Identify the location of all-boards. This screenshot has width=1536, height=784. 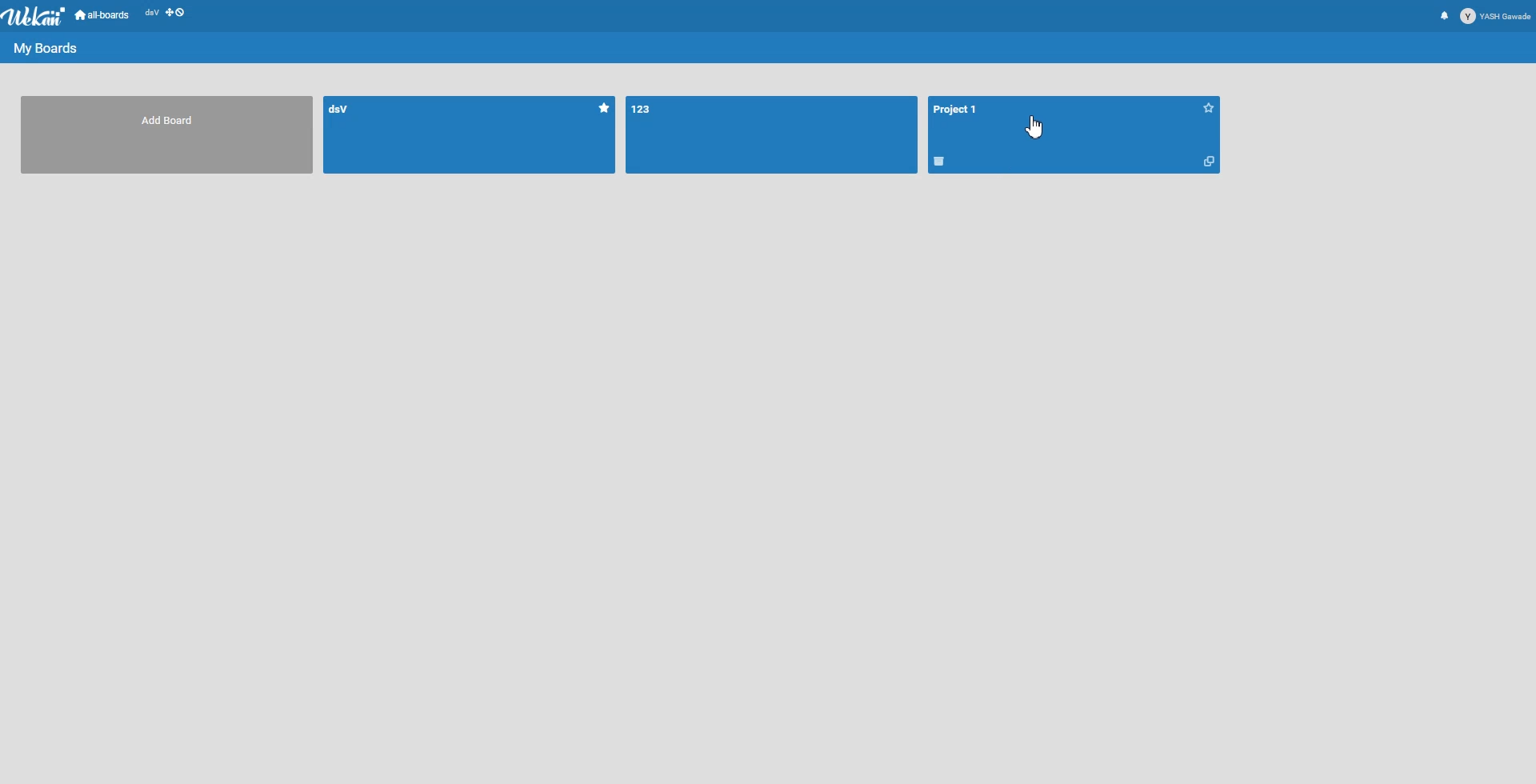
(102, 15).